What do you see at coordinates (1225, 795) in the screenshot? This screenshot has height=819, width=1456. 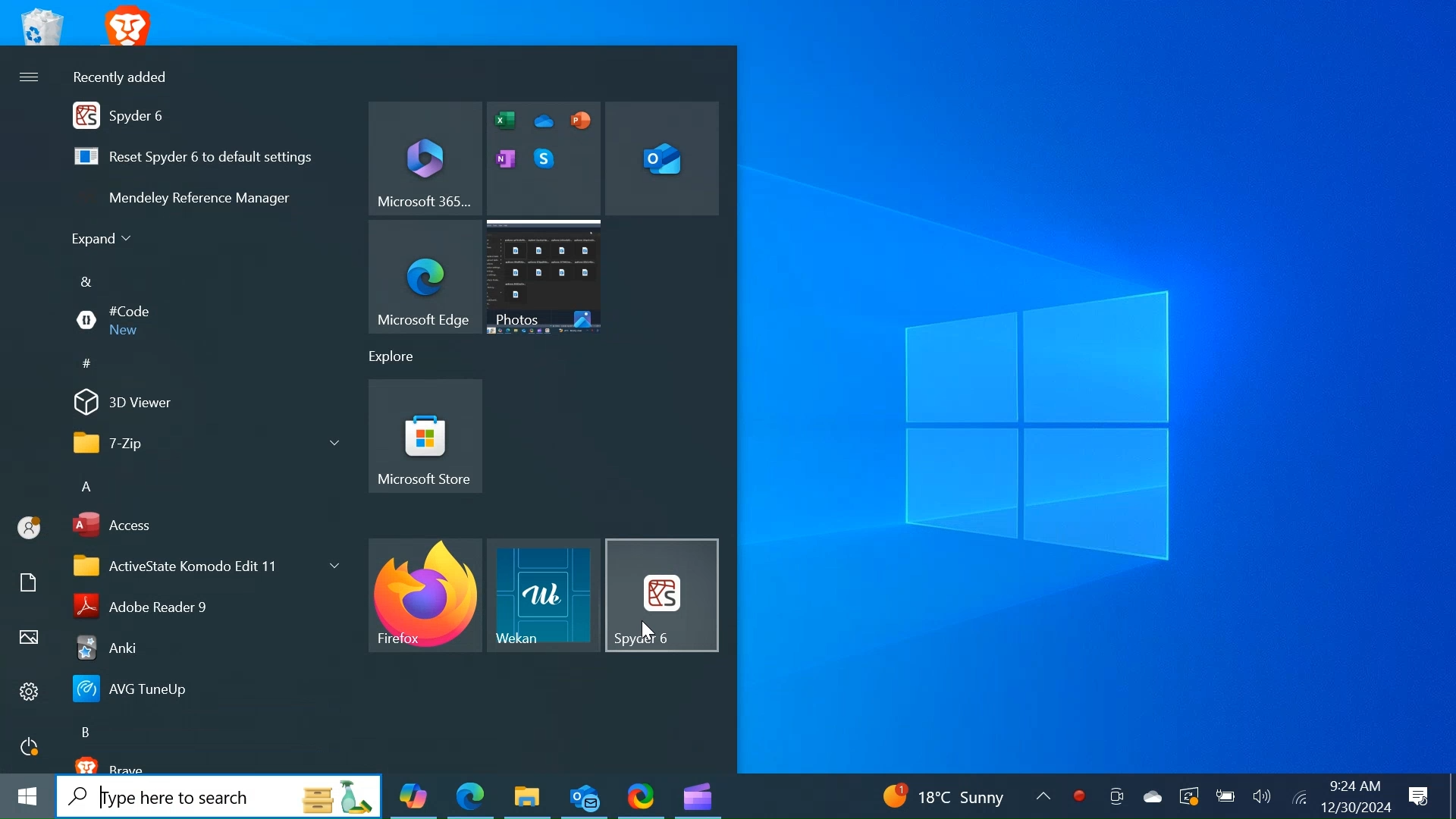 I see `Charge` at bounding box center [1225, 795].